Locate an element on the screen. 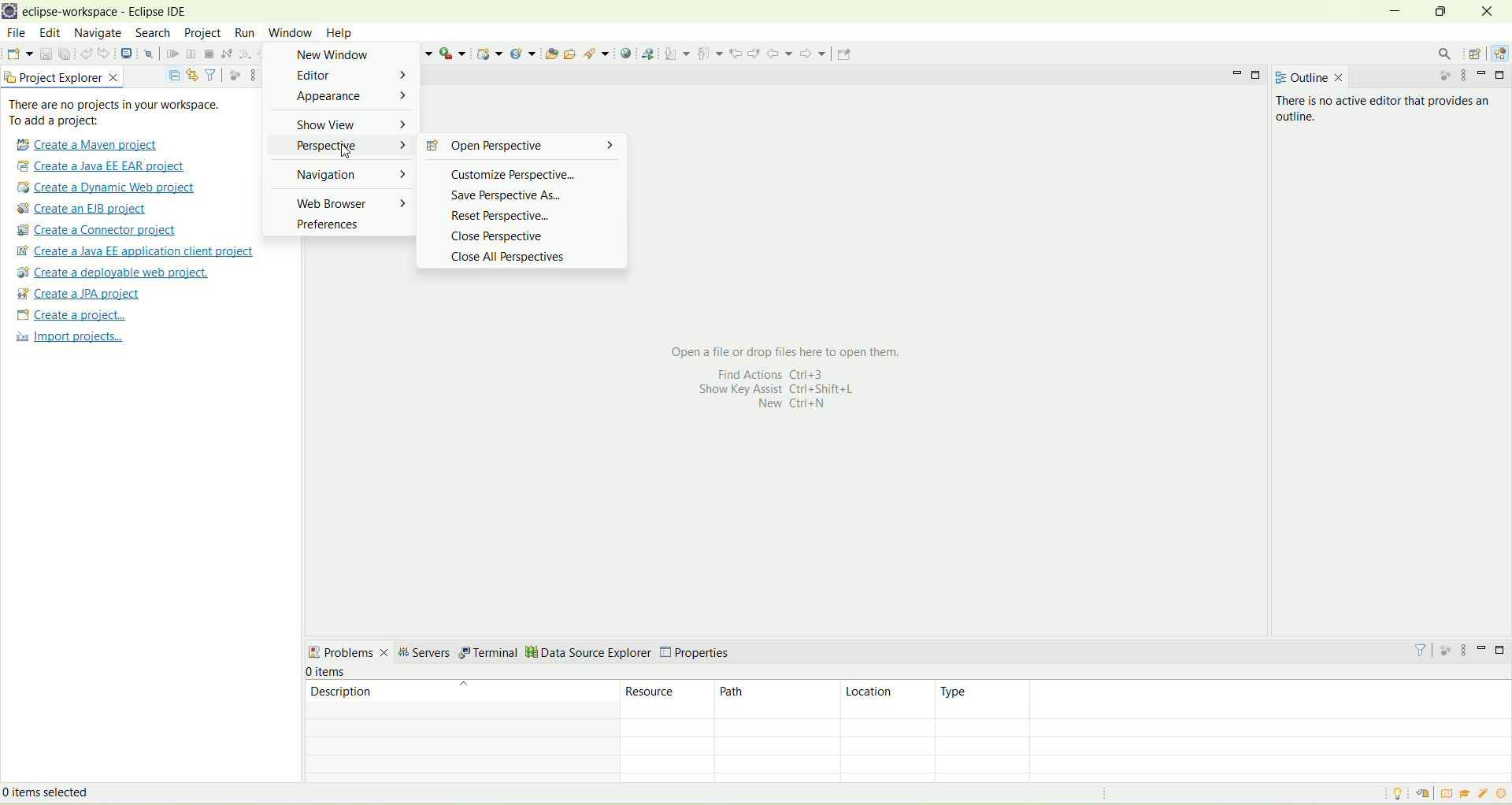  focus on active task is located at coordinates (1447, 651).